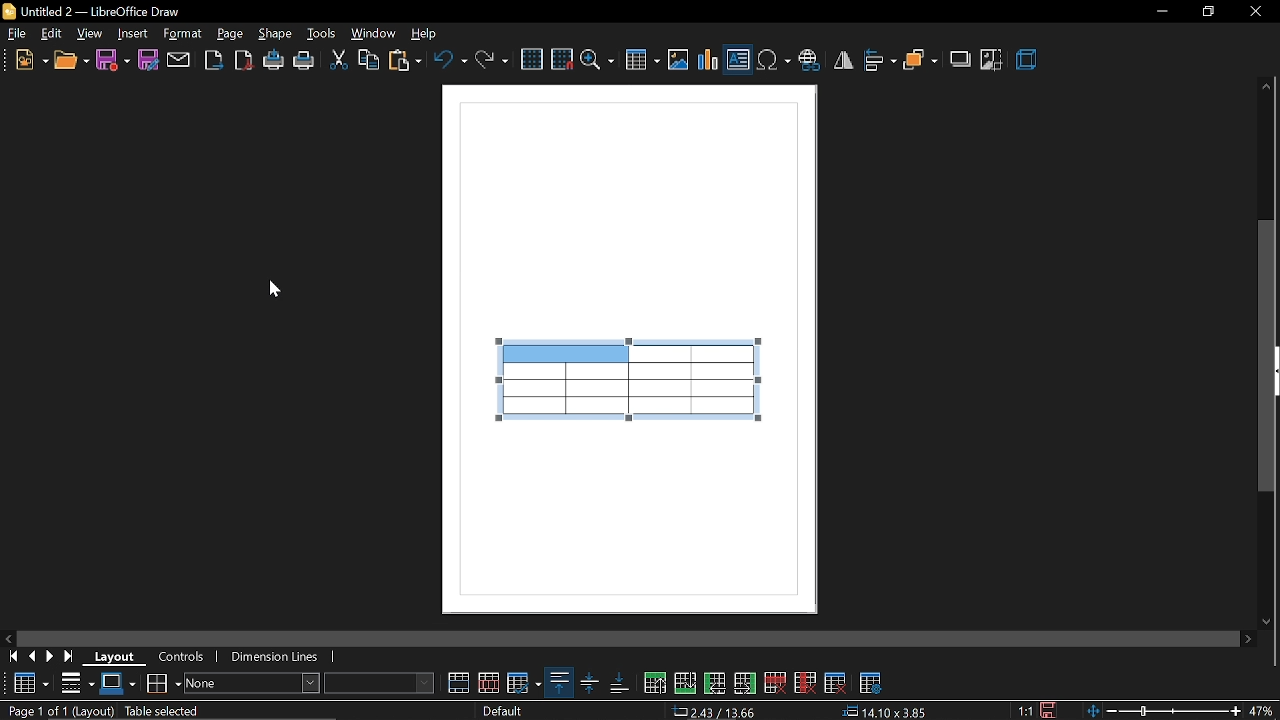 This screenshot has height=720, width=1280. I want to click on Table, so click(29, 682).